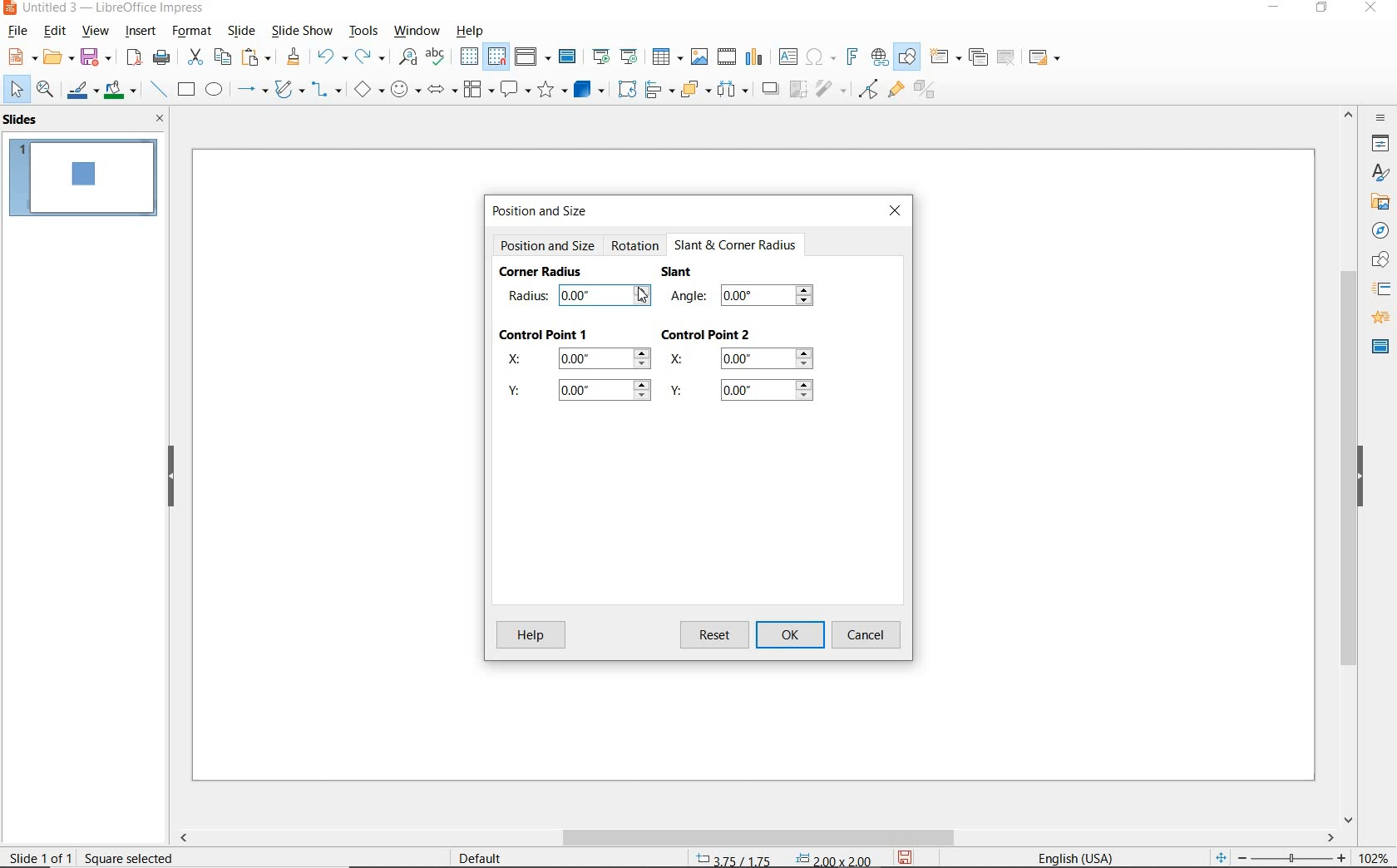 The height and width of the screenshot is (868, 1397). Describe the element at coordinates (635, 248) in the screenshot. I see `ROTATION` at that location.